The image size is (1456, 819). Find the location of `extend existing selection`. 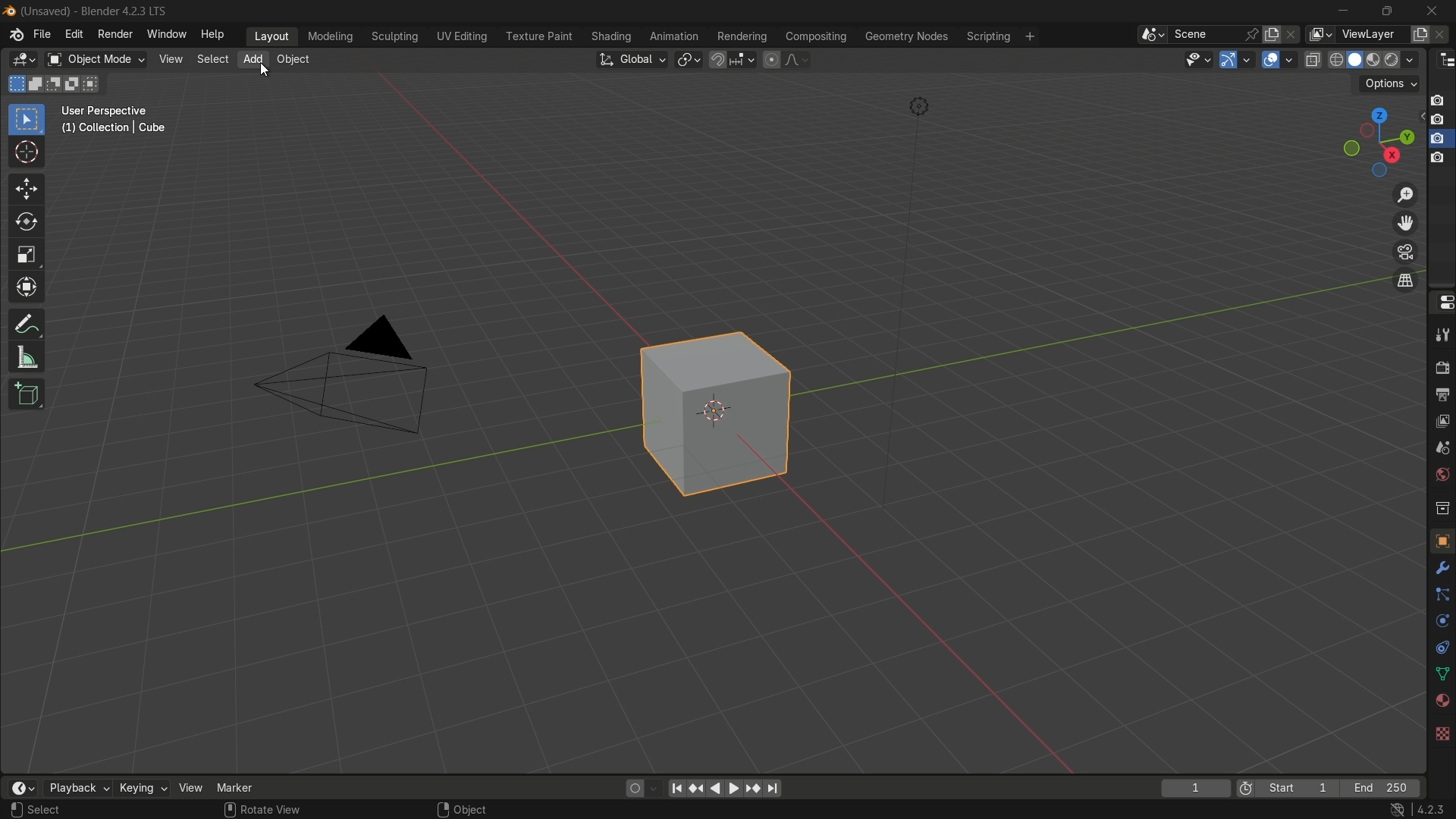

extend existing selection is located at coordinates (37, 83).